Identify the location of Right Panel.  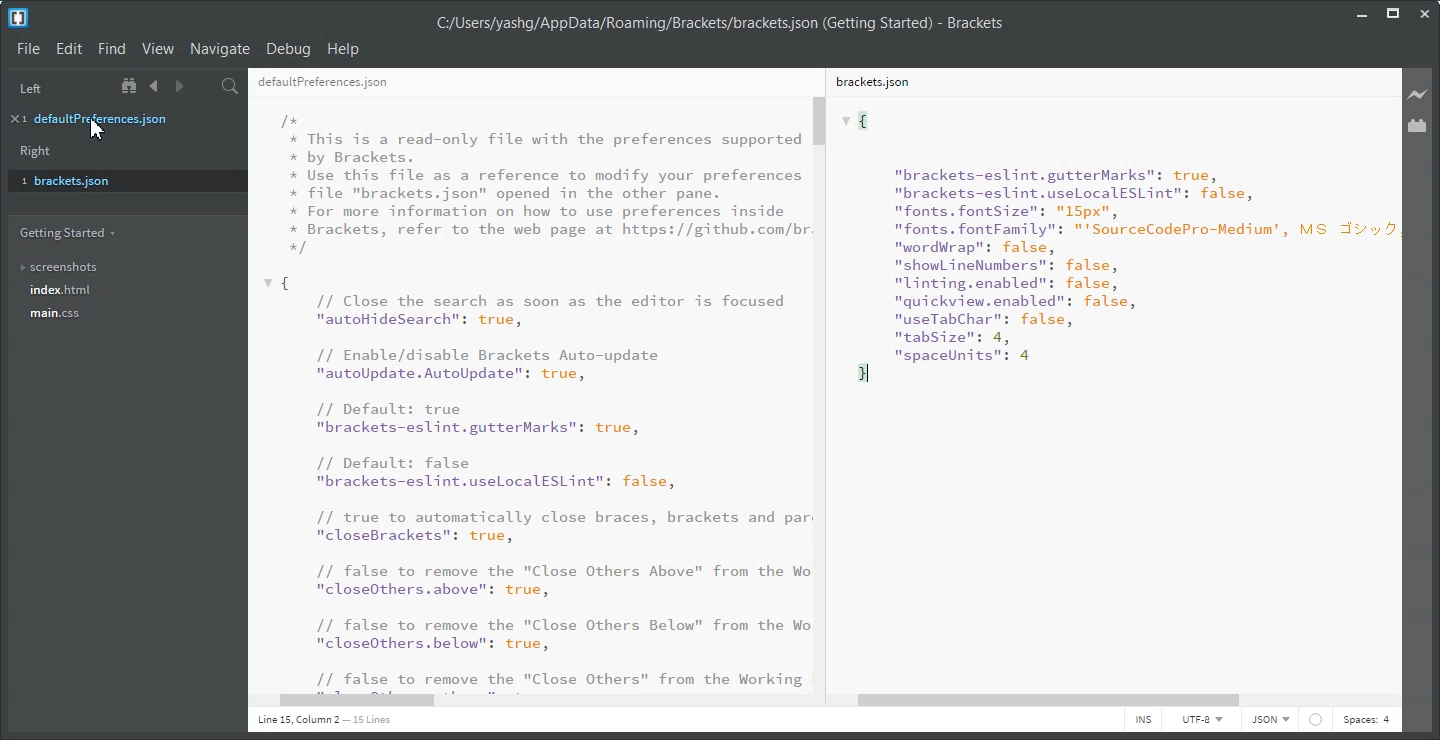
(33, 152).